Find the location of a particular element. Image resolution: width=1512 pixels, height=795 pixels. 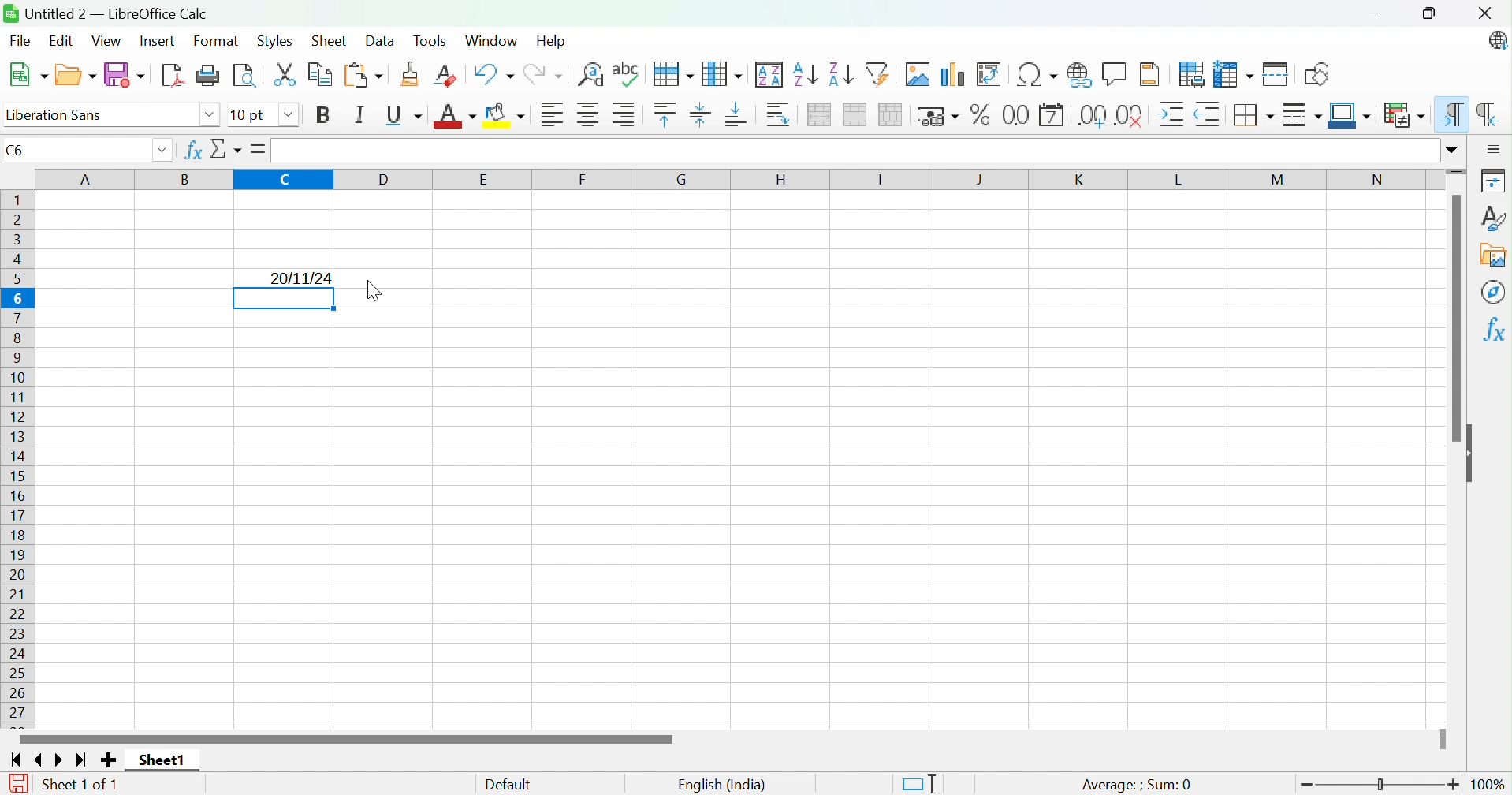

Print is located at coordinates (207, 75).